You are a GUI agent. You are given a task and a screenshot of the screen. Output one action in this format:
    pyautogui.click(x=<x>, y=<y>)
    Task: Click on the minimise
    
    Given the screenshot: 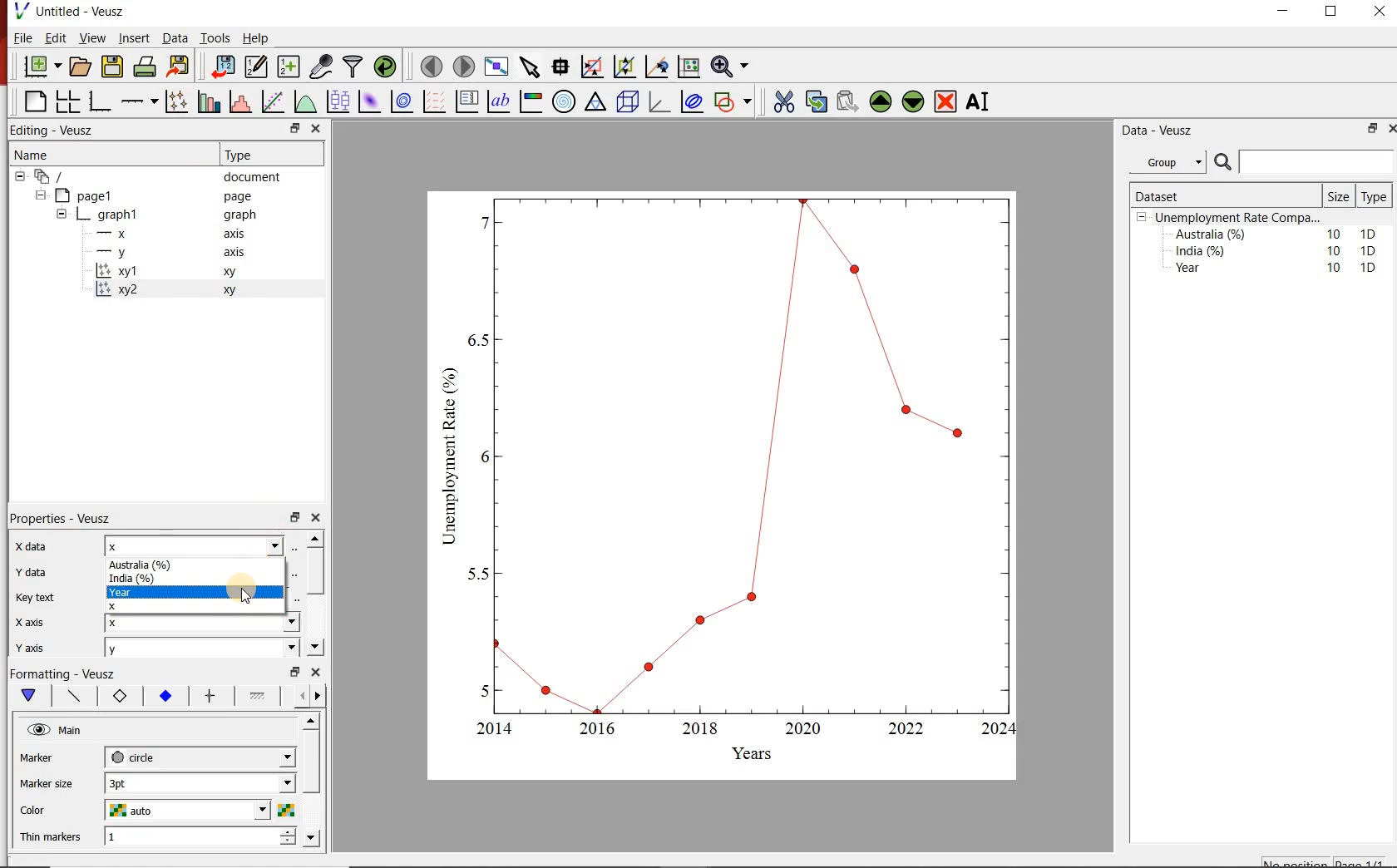 What is the action you would take?
    pyautogui.click(x=1287, y=15)
    